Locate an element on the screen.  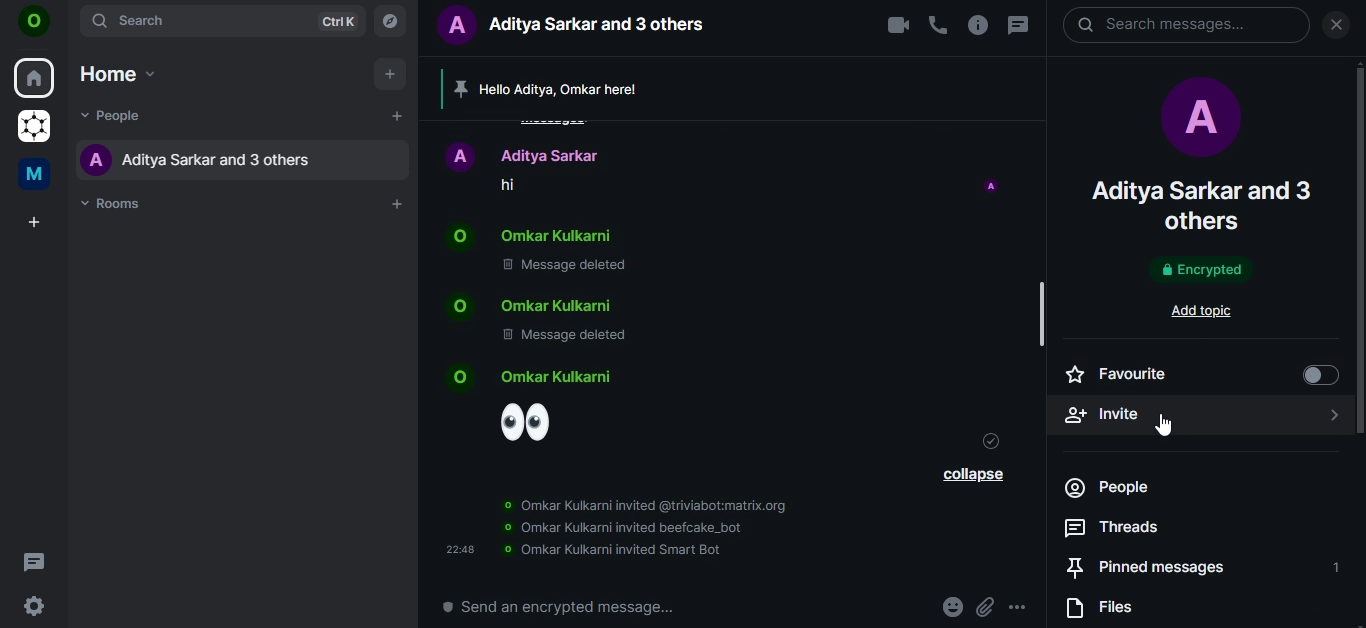
encrypted is located at coordinates (1199, 271).